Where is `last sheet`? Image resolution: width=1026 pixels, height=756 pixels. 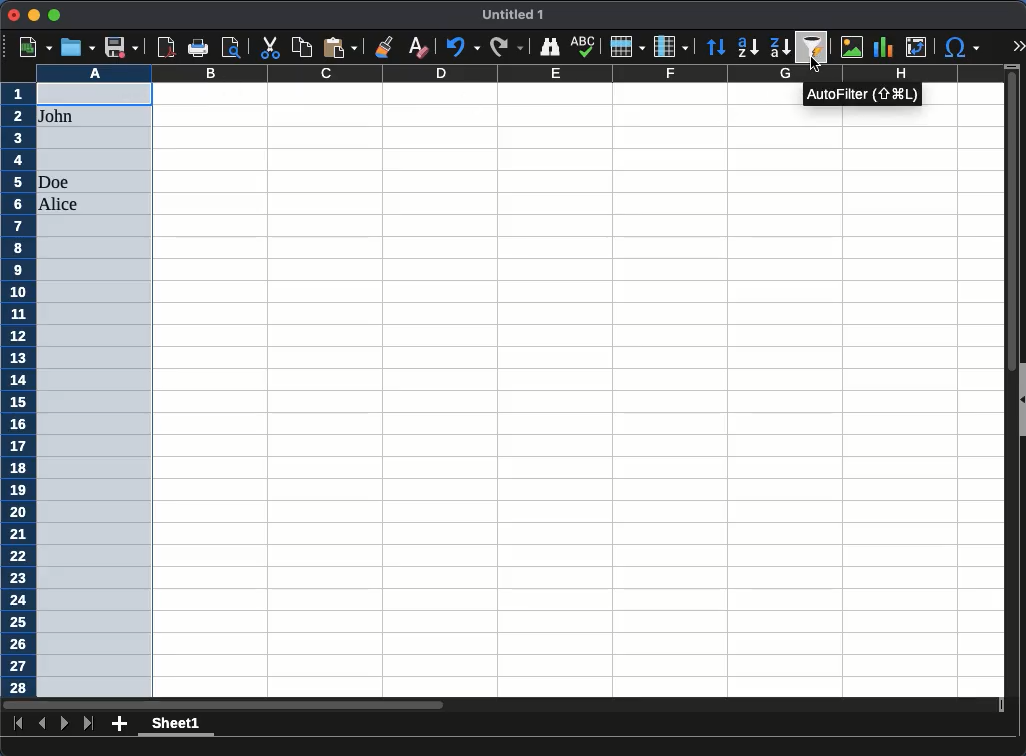 last sheet is located at coordinates (90, 724).